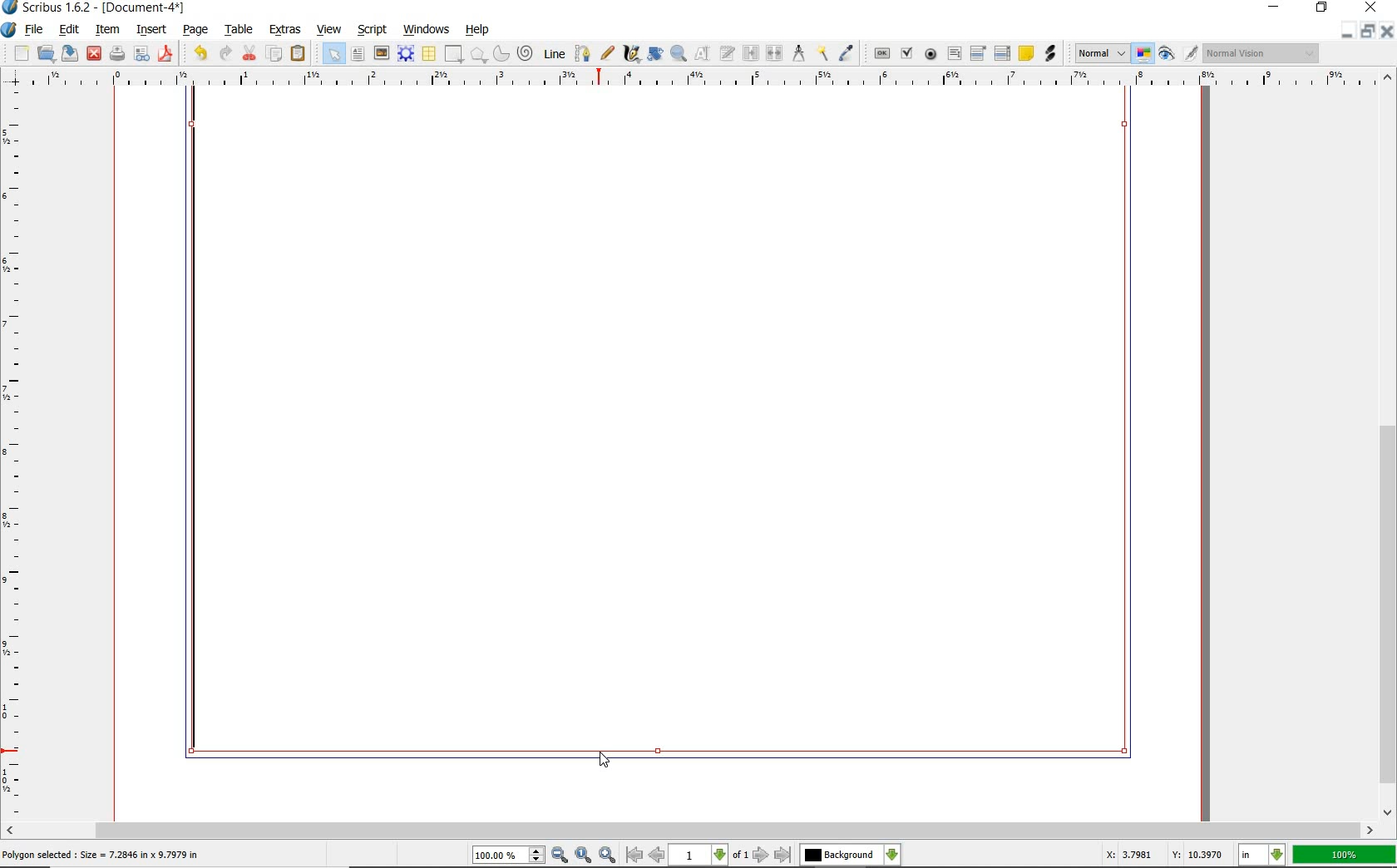 This screenshot has width=1397, height=868. Describe the element at coordinates (584, 52) in the screenshot. I see `Bezier curve` at that location.